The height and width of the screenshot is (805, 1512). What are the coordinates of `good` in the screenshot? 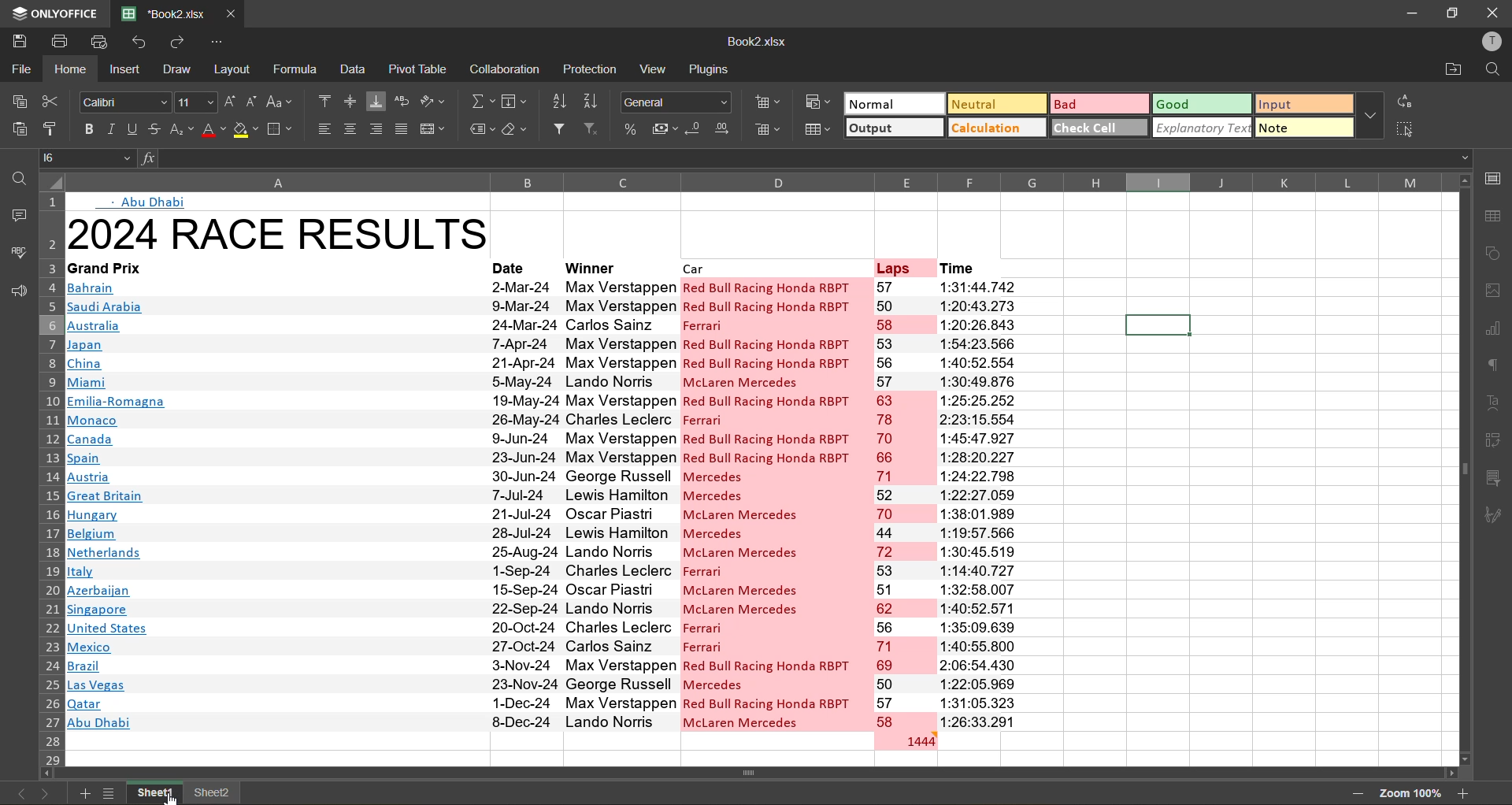 It's located at (1200, 106).